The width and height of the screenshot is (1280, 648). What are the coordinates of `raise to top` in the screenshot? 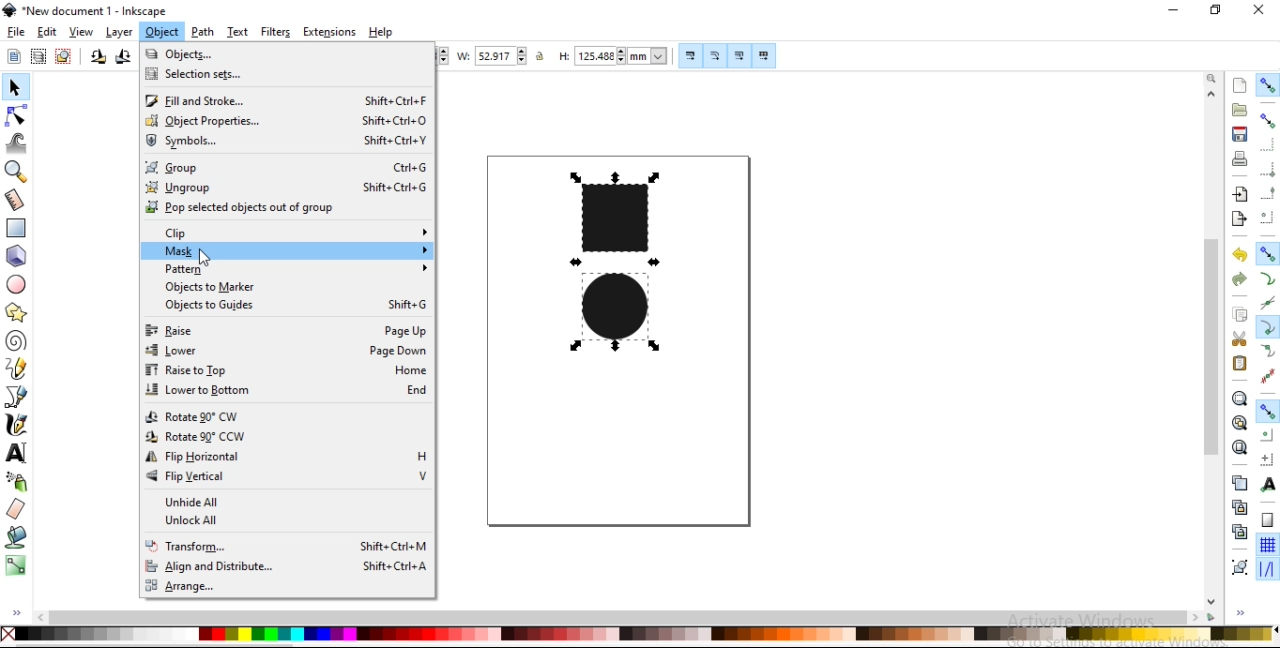 It's located at (286, 372).